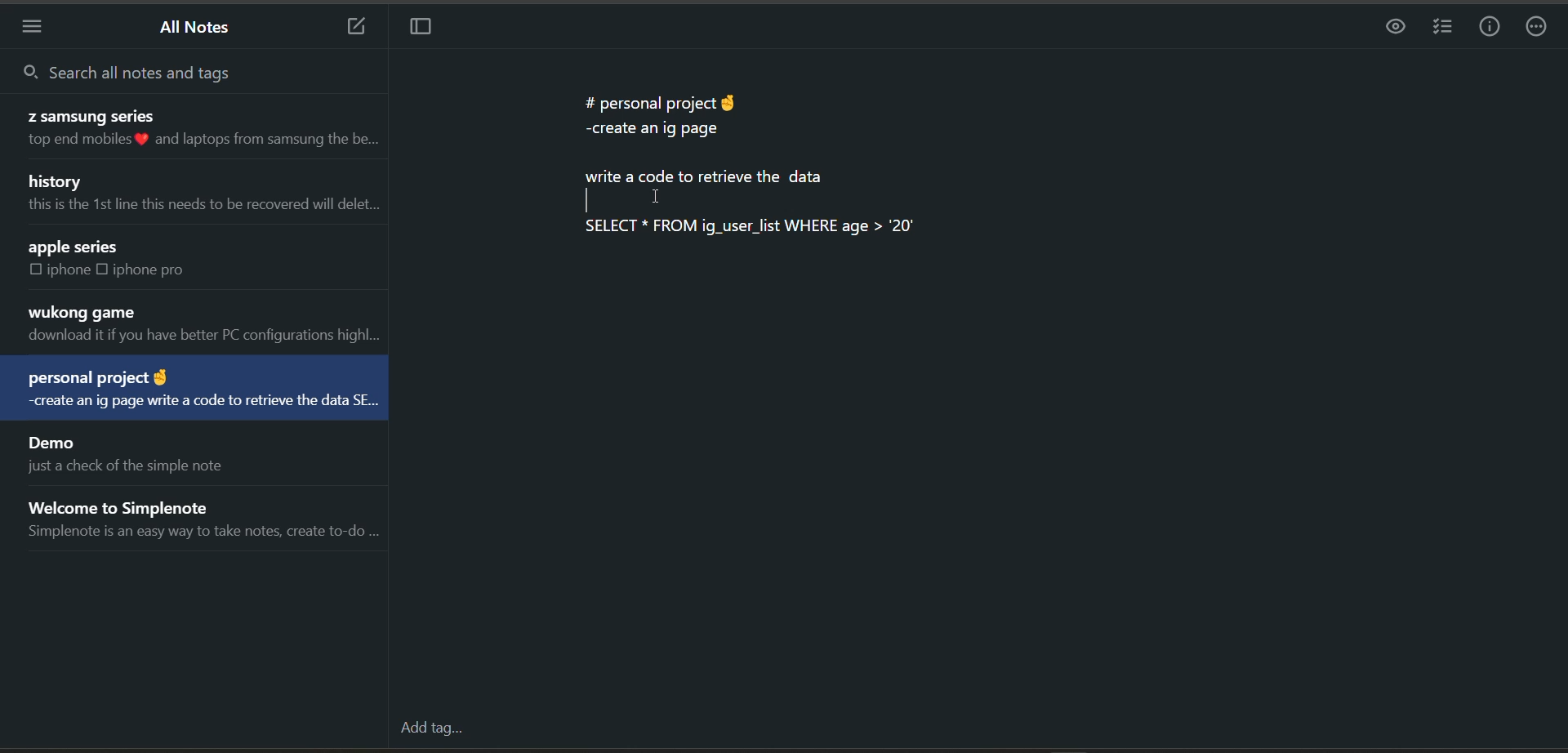 The width and height of the screenshot is (1568, 753). What do you see at coordinates (348, 28) in the screenshot?
I see `add new note` at bounding box center [348, 28].